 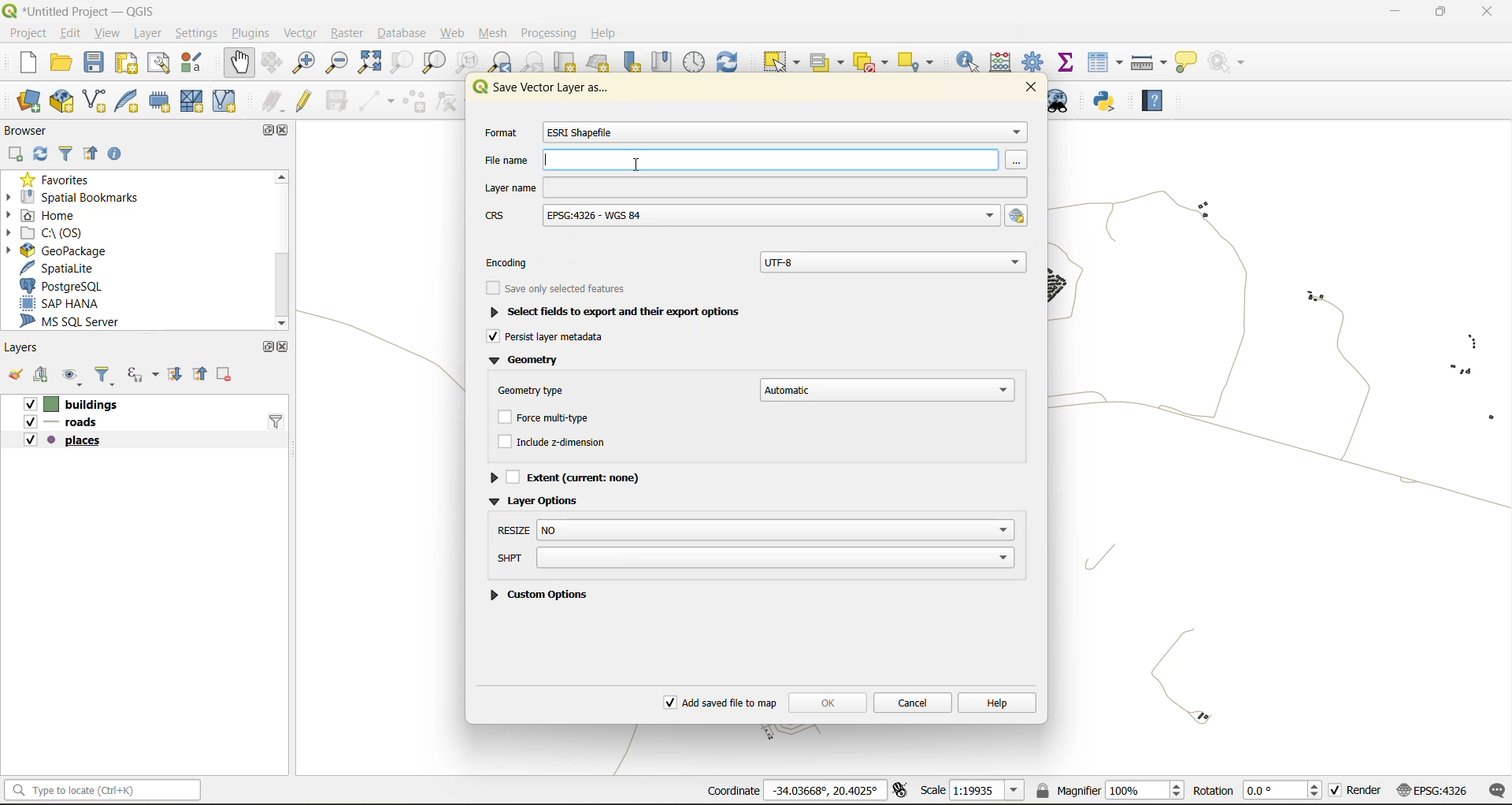 What do you see at coordinates (1147, 61) in the screenshot?
I see `measure line` at bounding box center [1147, 61].